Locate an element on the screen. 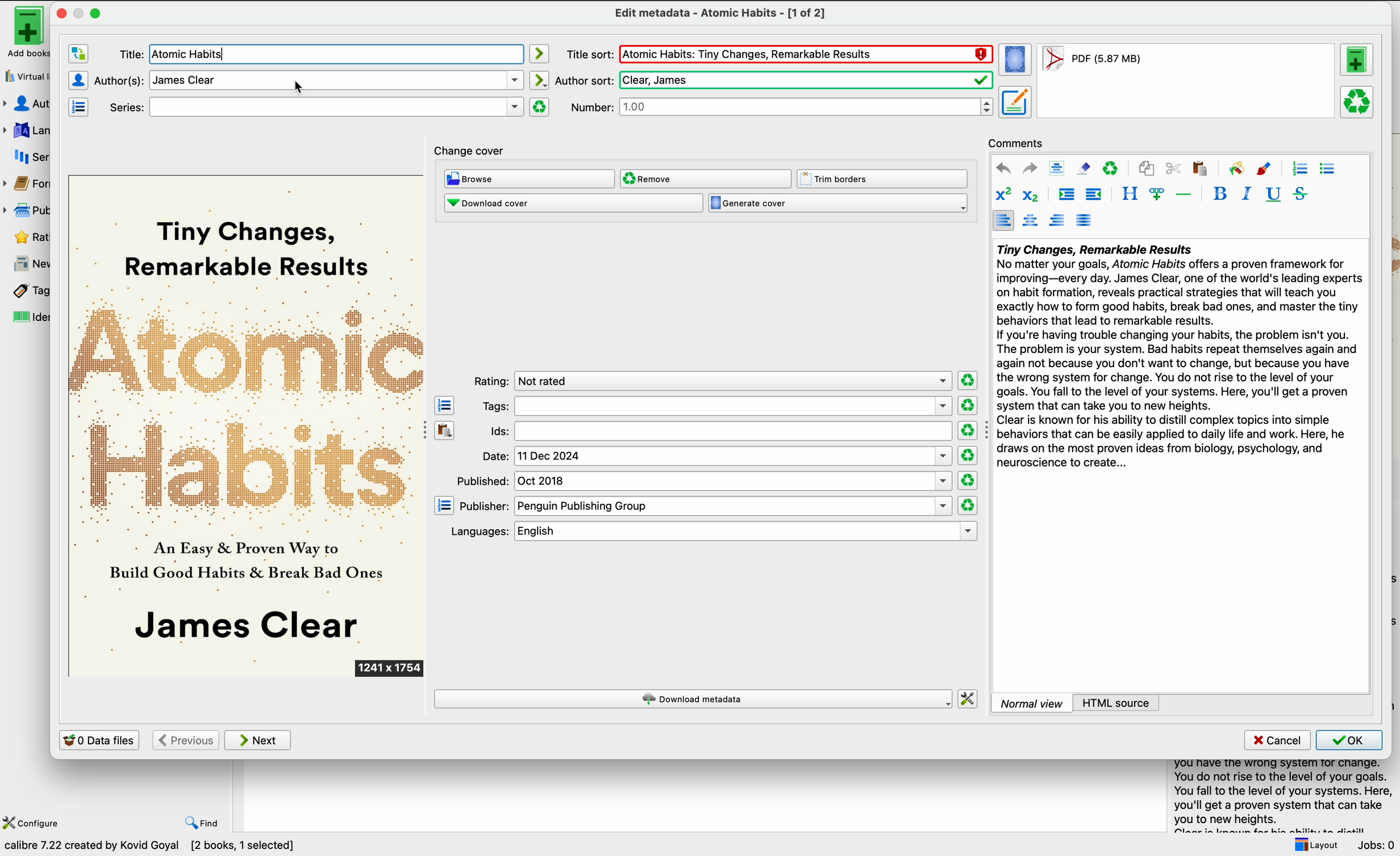  automatically mode icon is located at coordinates (541, 53).